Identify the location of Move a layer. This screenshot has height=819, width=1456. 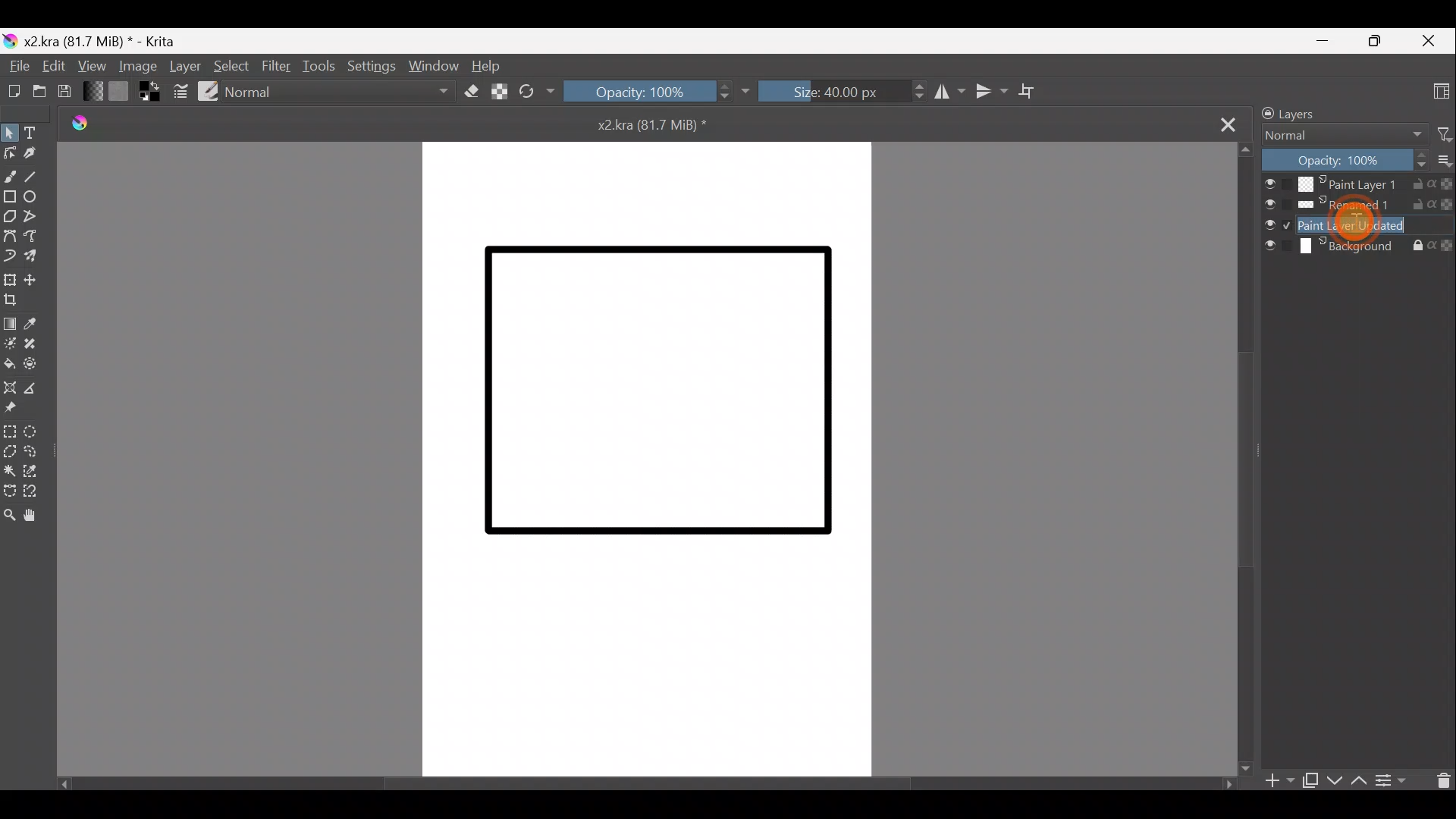
(39, 279).